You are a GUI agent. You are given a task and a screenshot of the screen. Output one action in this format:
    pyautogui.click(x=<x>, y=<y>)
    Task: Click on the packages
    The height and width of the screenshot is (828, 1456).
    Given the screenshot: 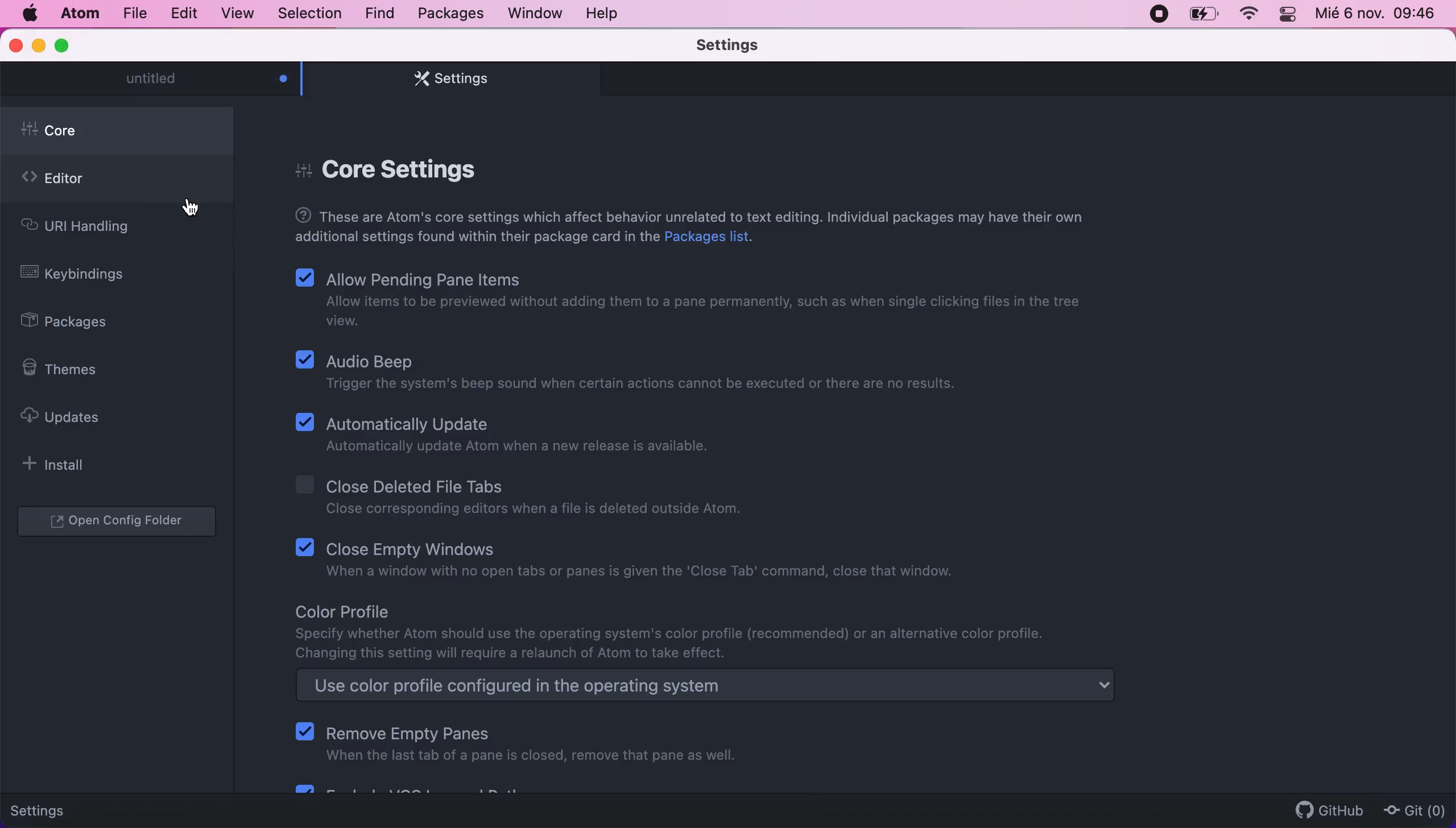 What is the action you would take?
    pyautogui.click(x=449, y=16)
    